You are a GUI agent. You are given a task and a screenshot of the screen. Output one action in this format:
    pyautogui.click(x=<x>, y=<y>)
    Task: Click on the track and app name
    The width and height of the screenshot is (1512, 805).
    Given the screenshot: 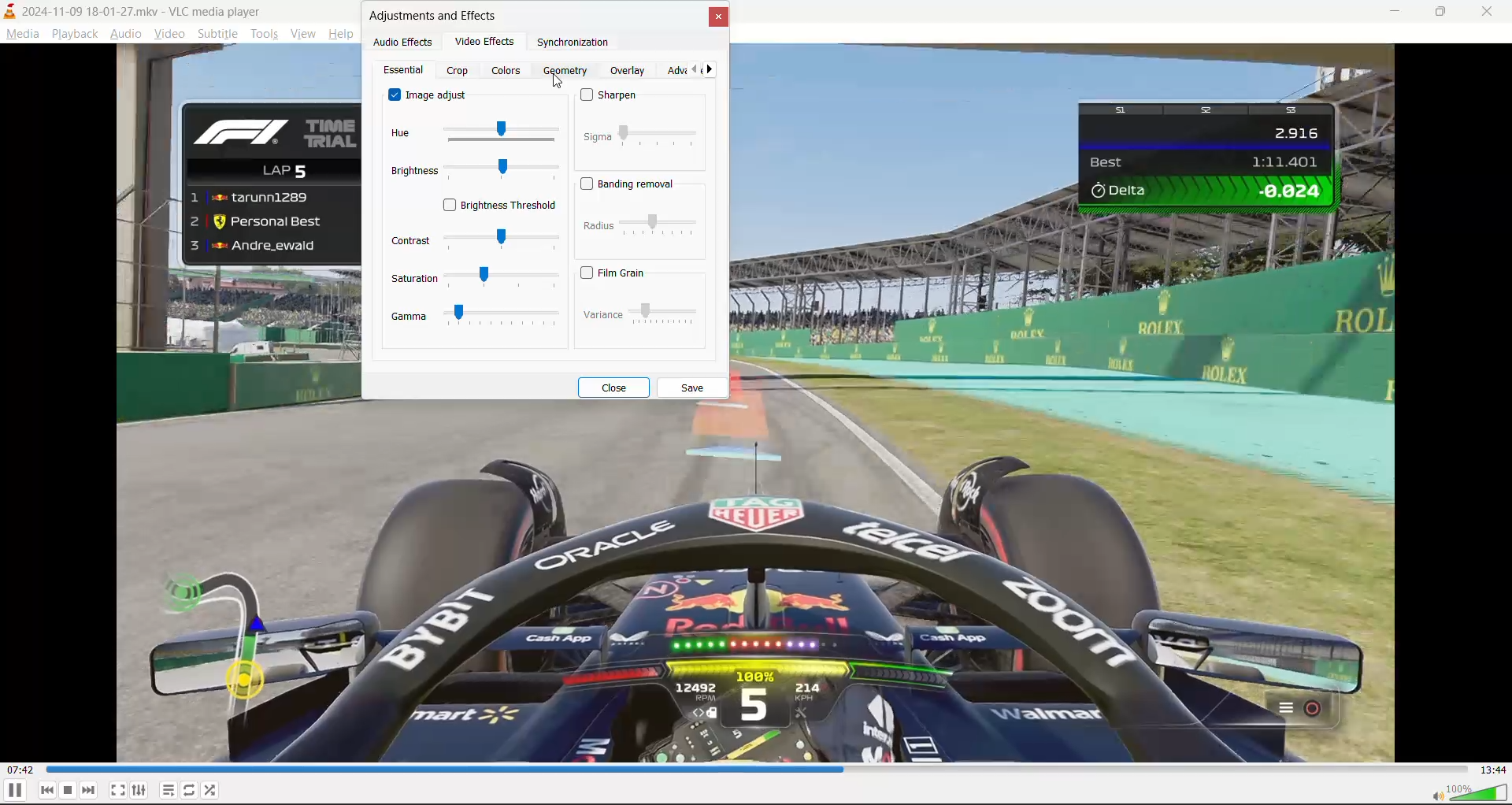 What is the action you would take?
    pyautogui.click(x=135, y=10)
    